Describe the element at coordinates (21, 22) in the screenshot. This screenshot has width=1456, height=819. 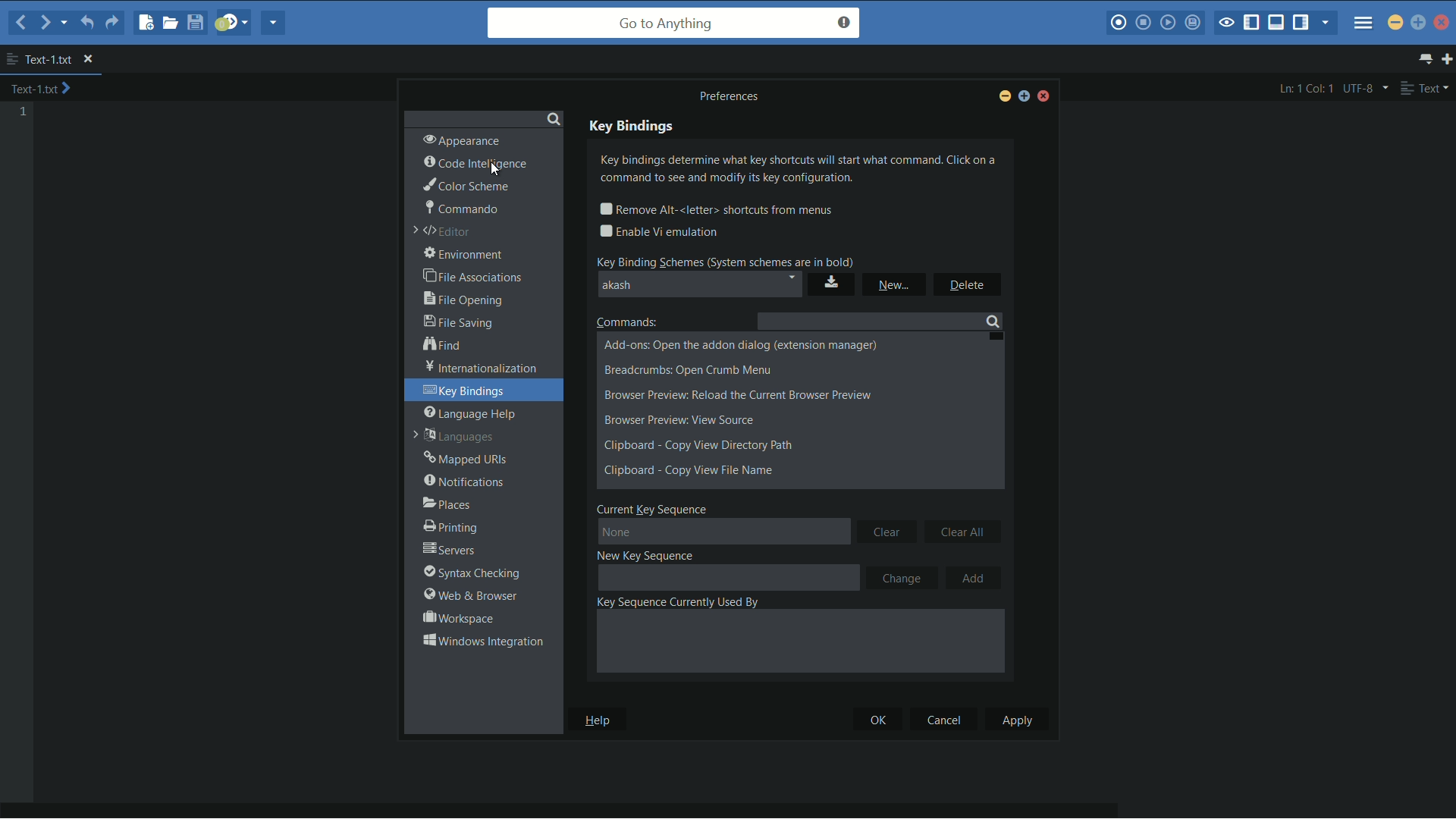
I see `back` at that location.